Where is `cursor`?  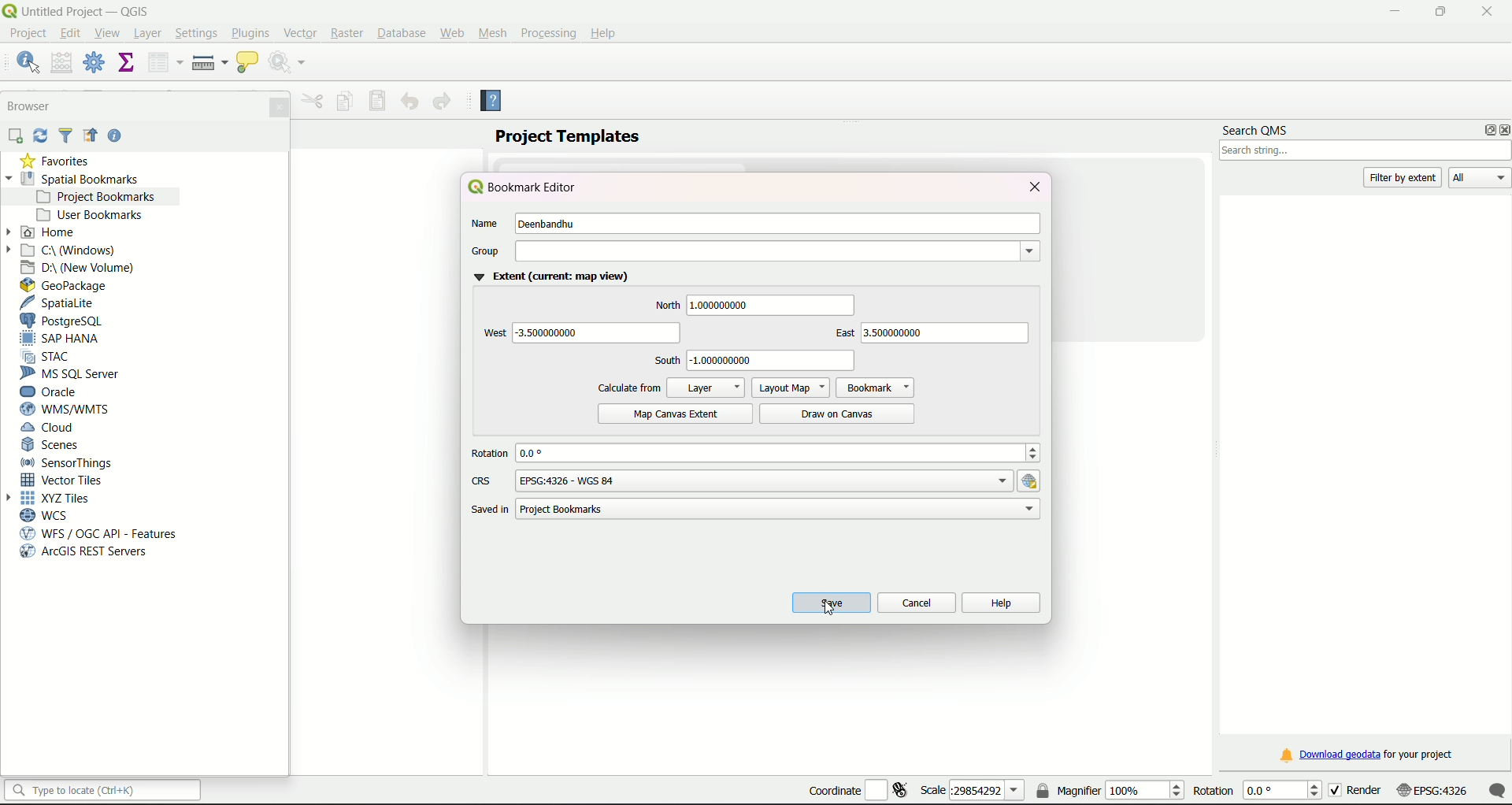 cursor is located at coordinates (829, 614).